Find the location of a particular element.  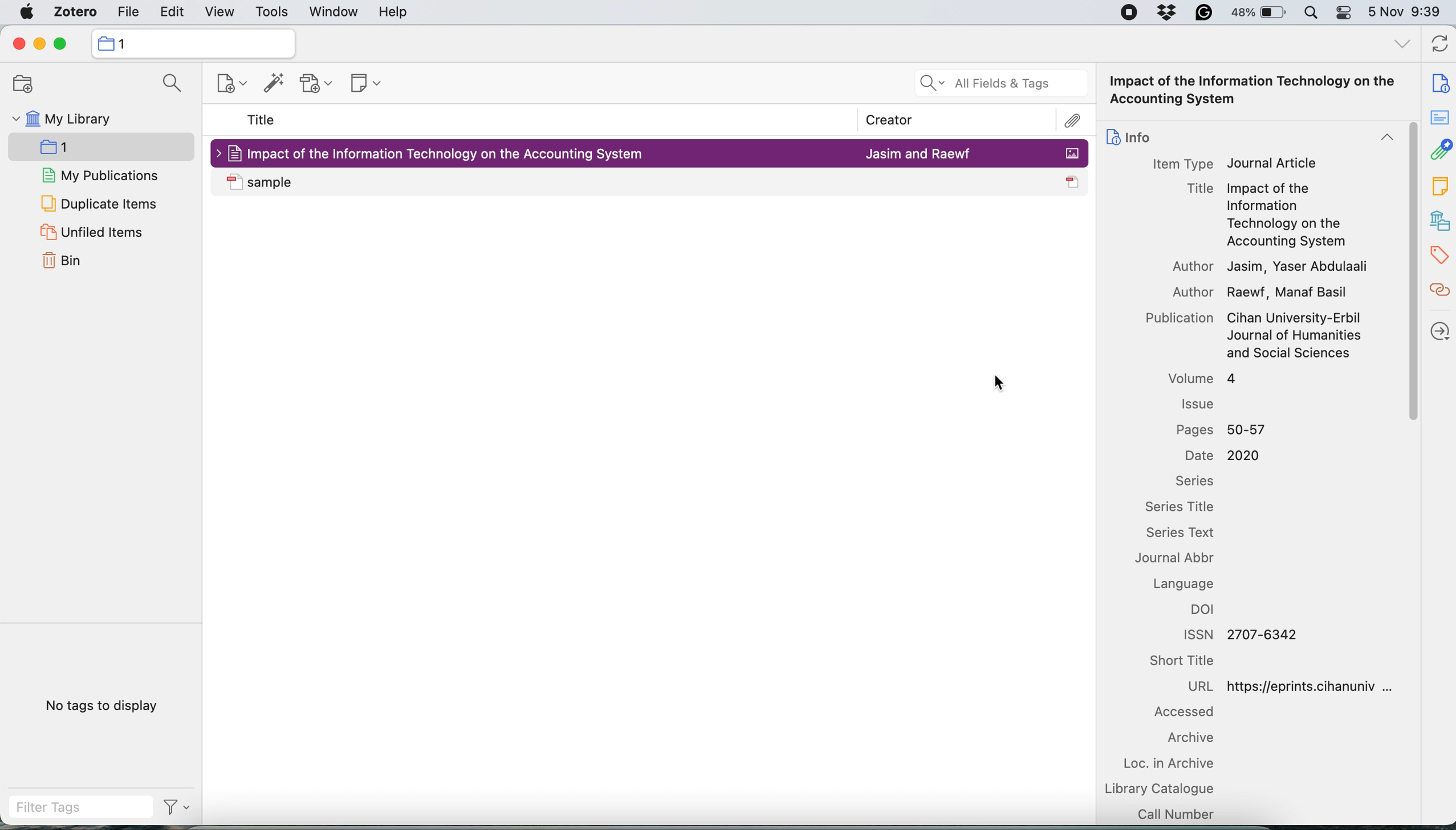

series text is located at coordinates (1181, 533).